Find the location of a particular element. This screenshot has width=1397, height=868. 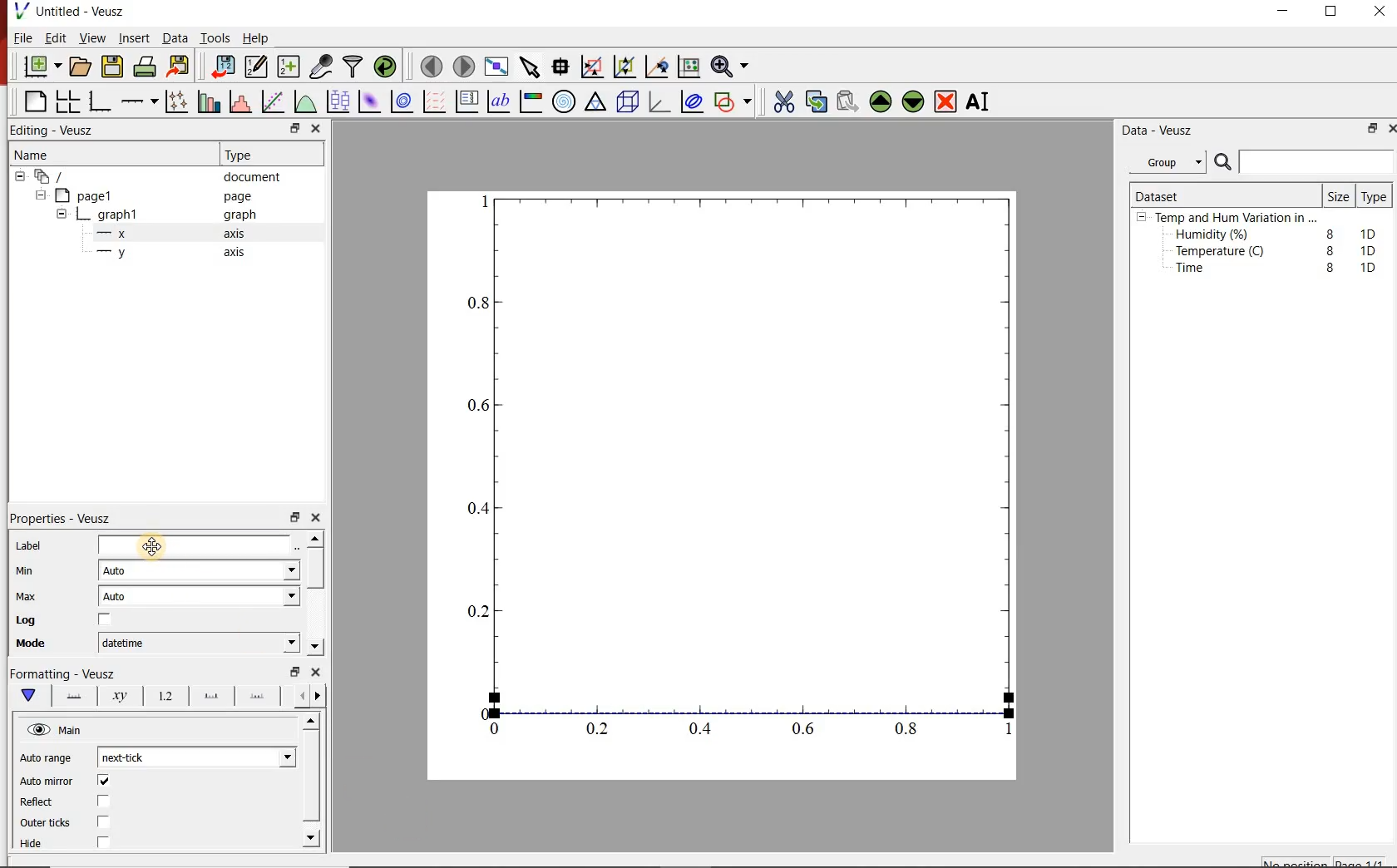

base graph is located at coordinates (101, 99).